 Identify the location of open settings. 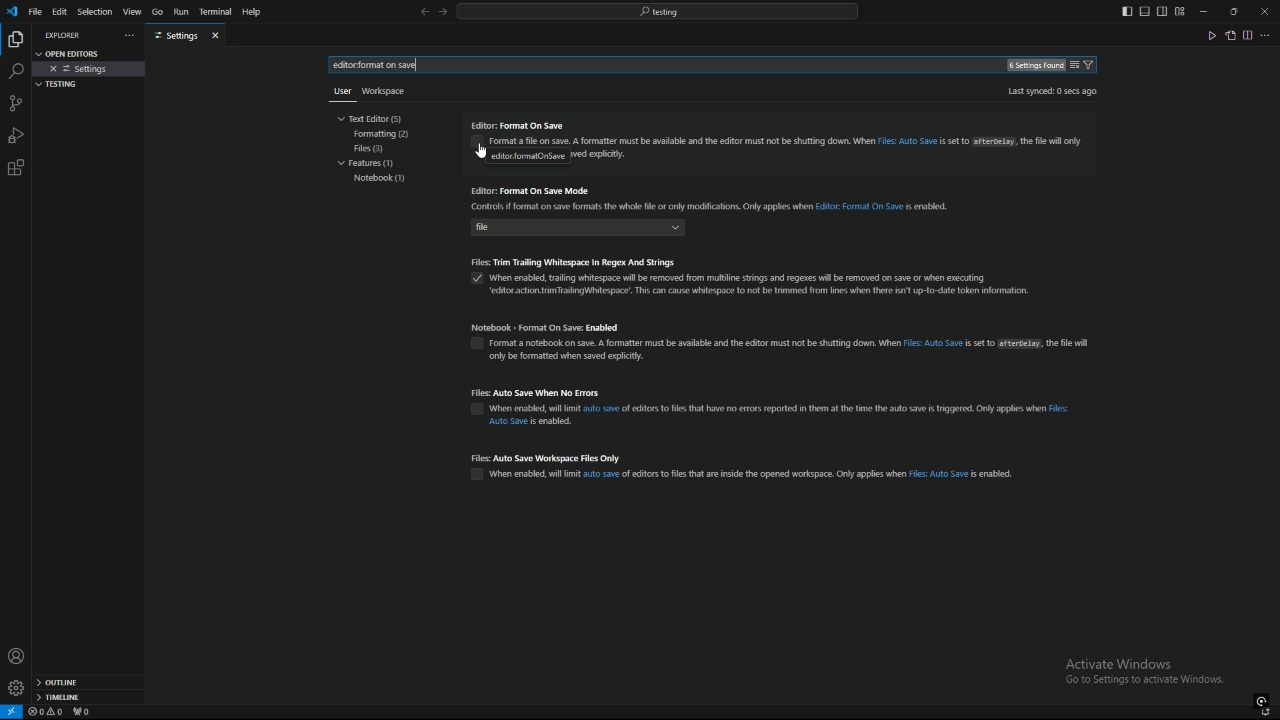
(74, 52).